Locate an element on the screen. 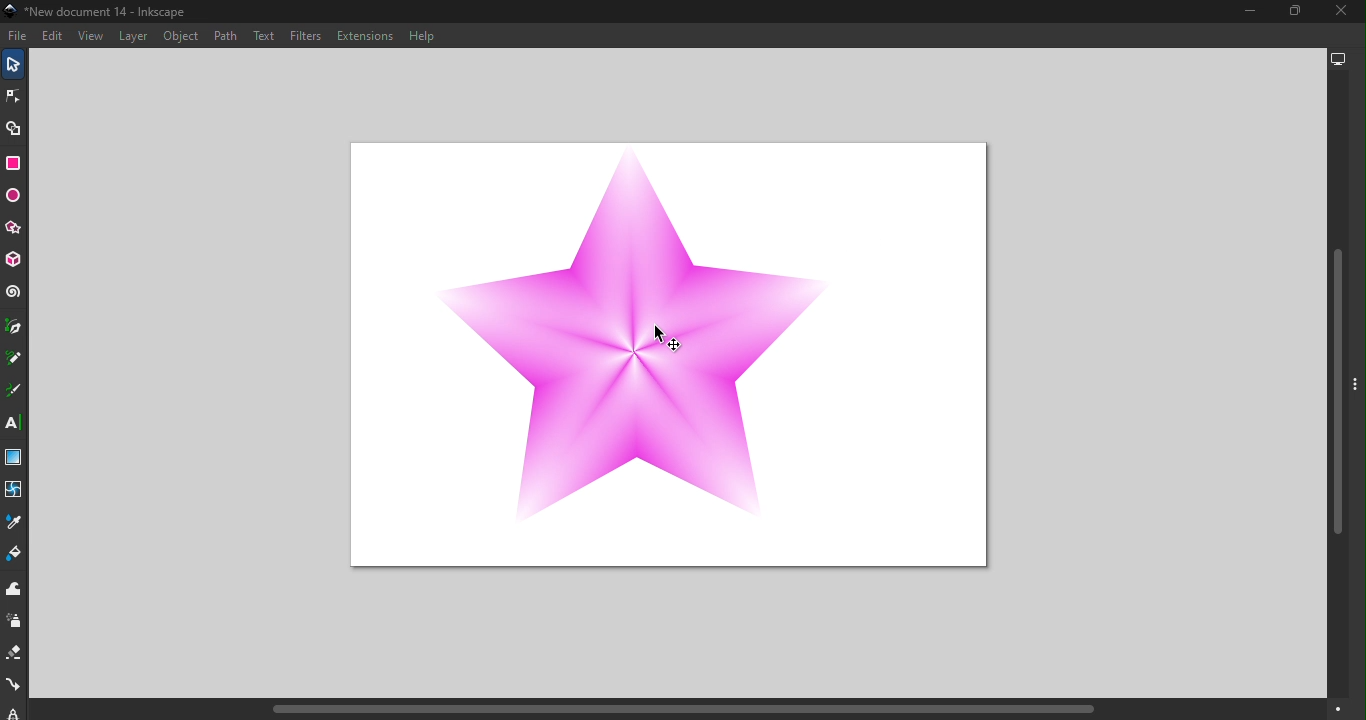 The height and width of the screenshot is (720, 1366). Paint bucket tool is located at coordinates (19, 551).